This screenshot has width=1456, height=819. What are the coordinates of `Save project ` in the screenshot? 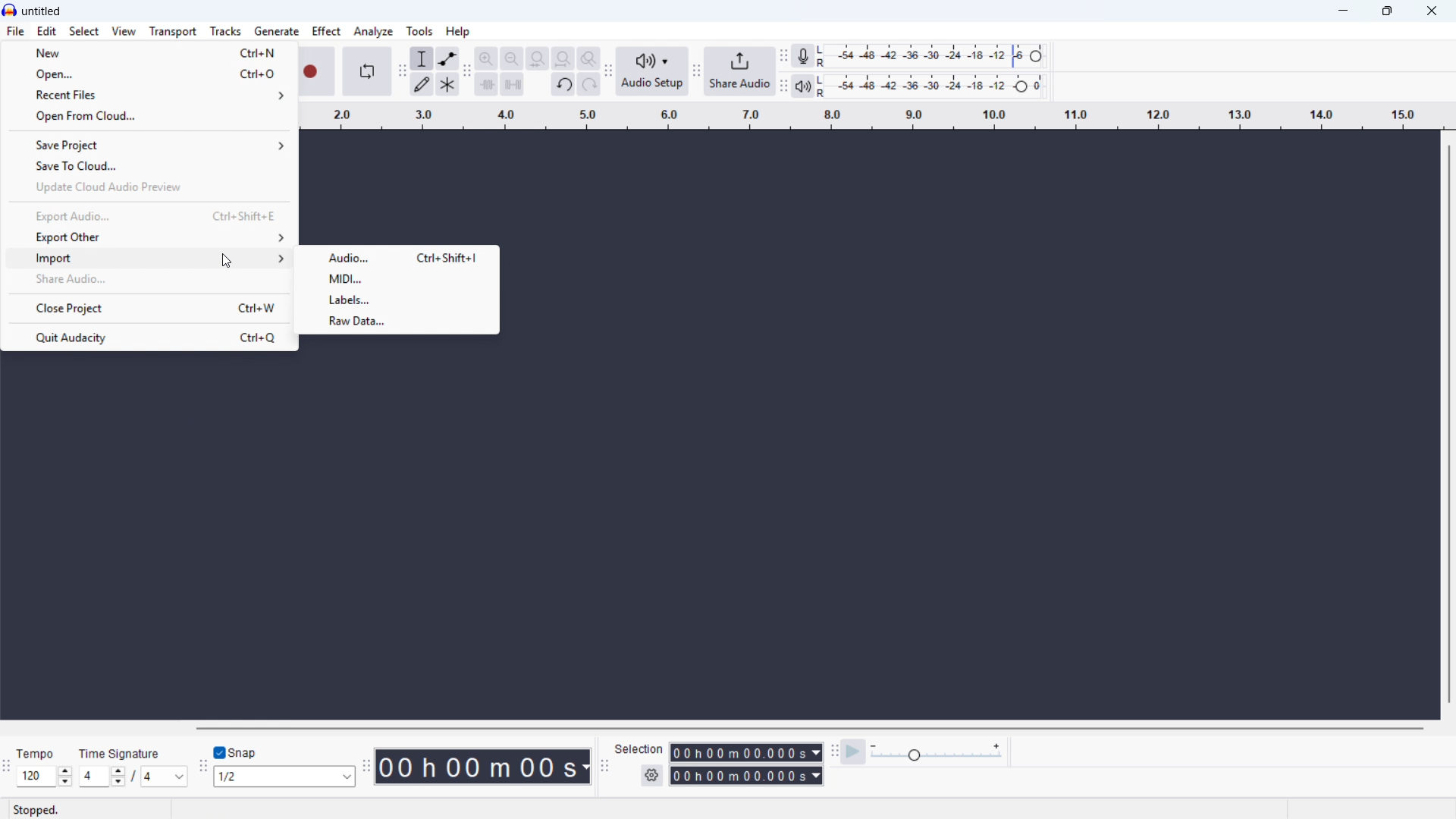 It's located at (149, 143).